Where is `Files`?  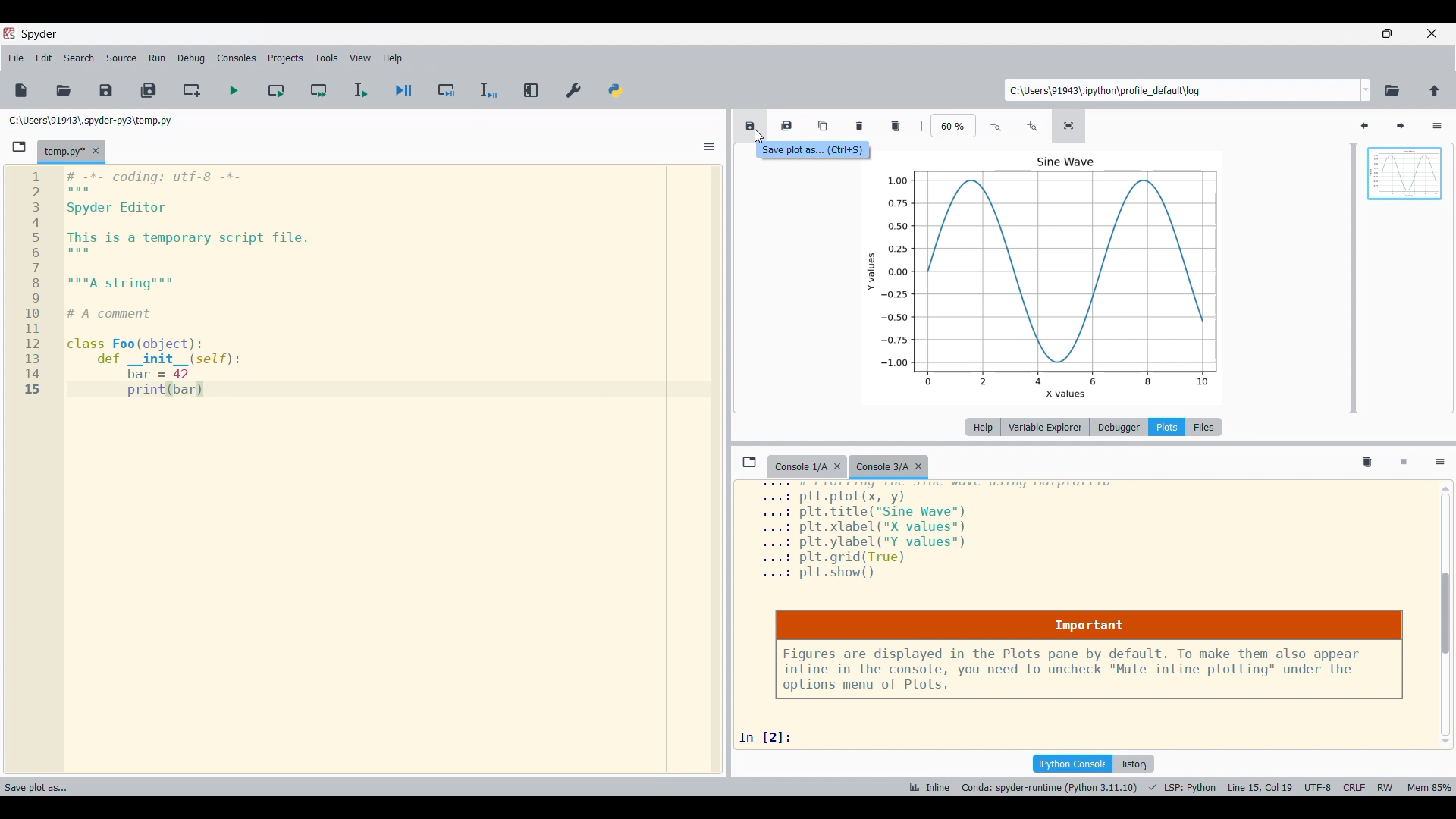
Files is located at coordinates (1204, 427).